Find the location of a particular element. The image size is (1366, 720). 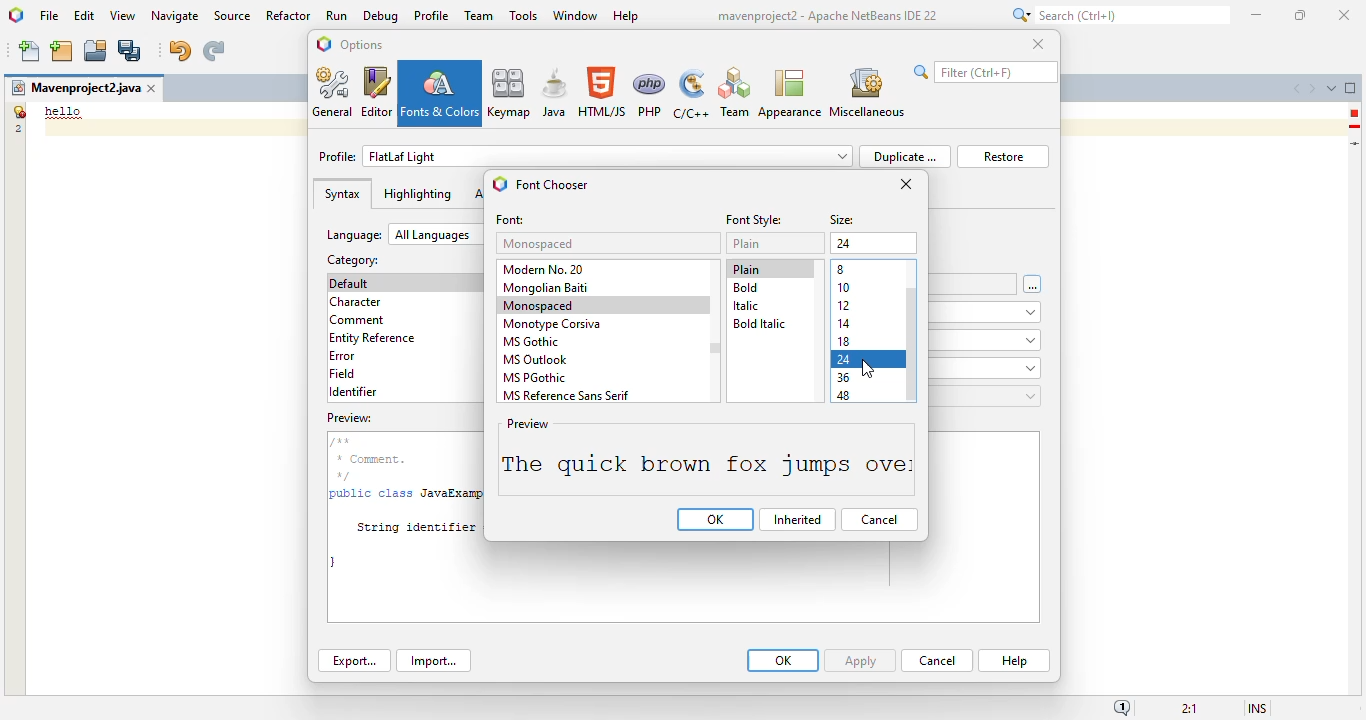

12 is located at coordinates (844, 306).